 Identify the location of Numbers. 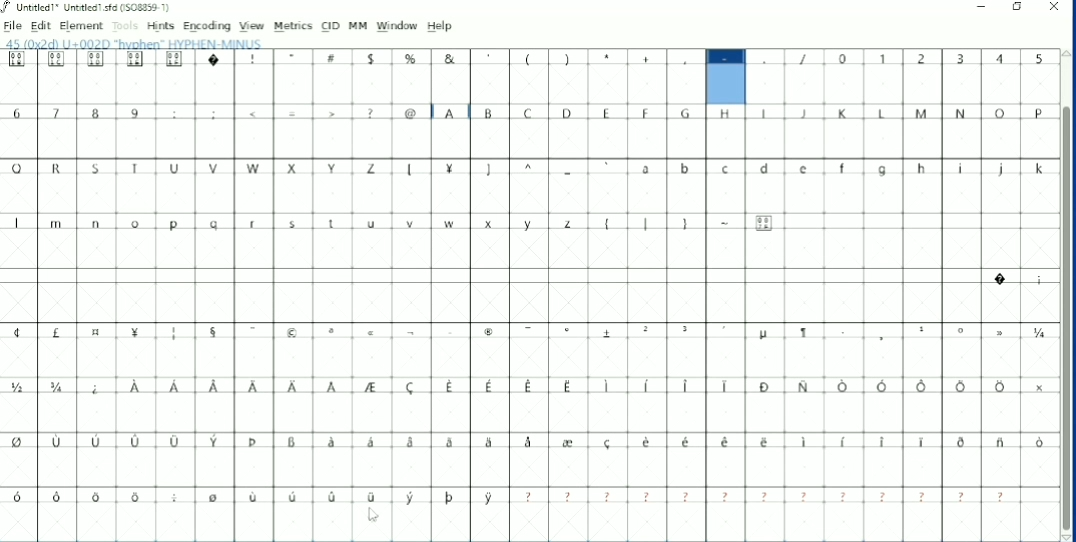
(78, 113).